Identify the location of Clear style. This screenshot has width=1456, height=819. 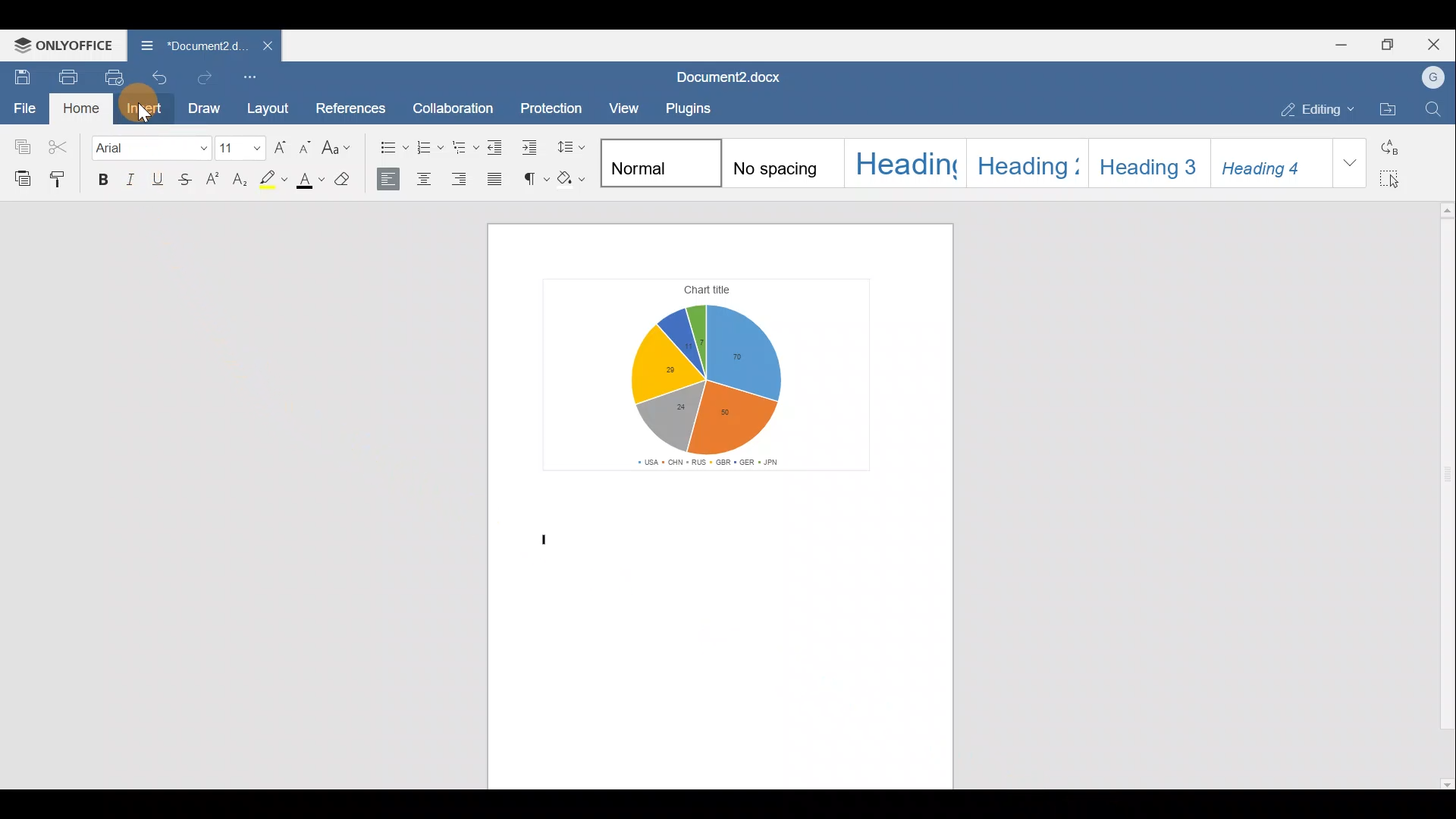
(351, 180).